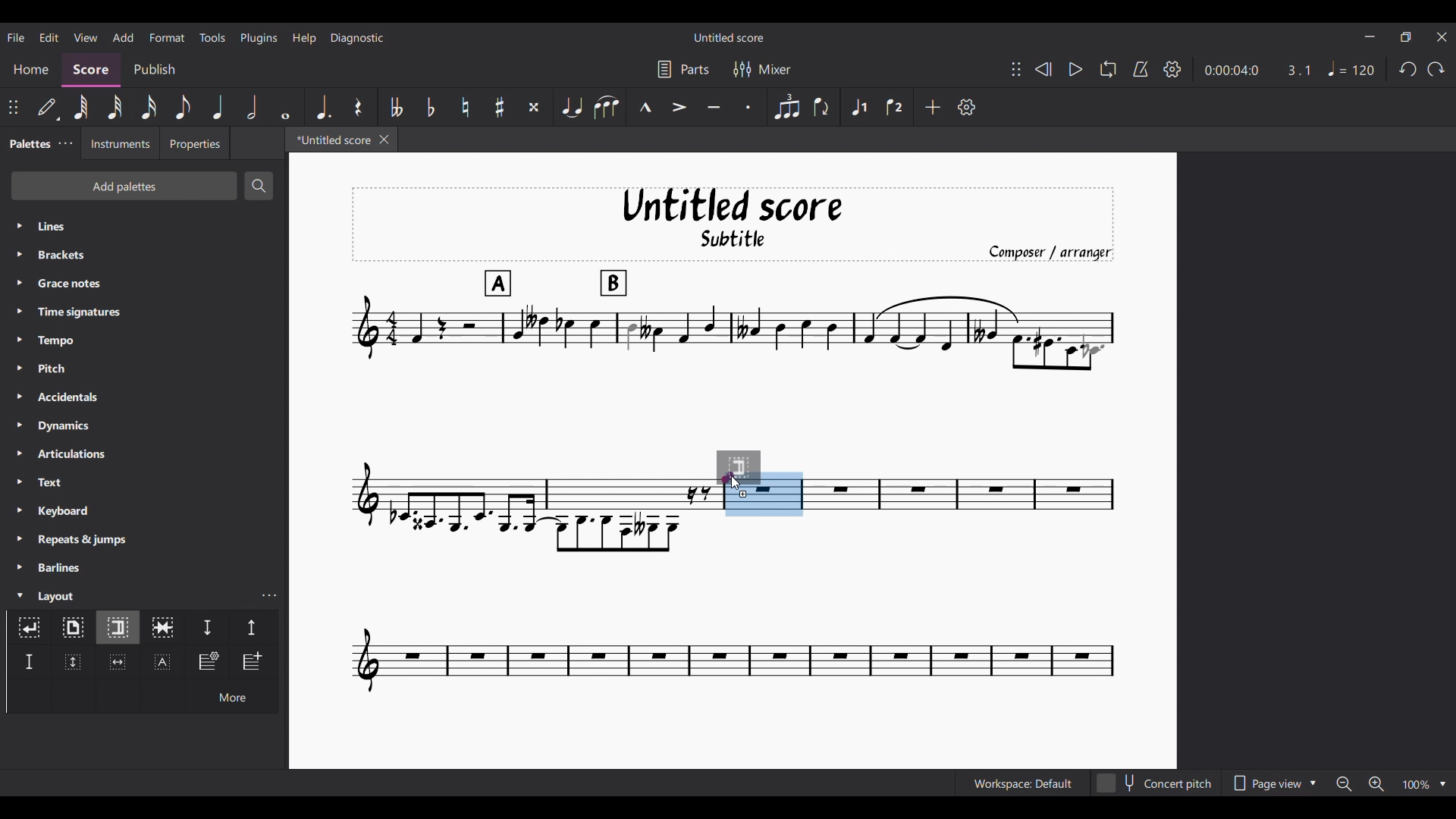  I want to click on Quarter note, so click(218, 106).